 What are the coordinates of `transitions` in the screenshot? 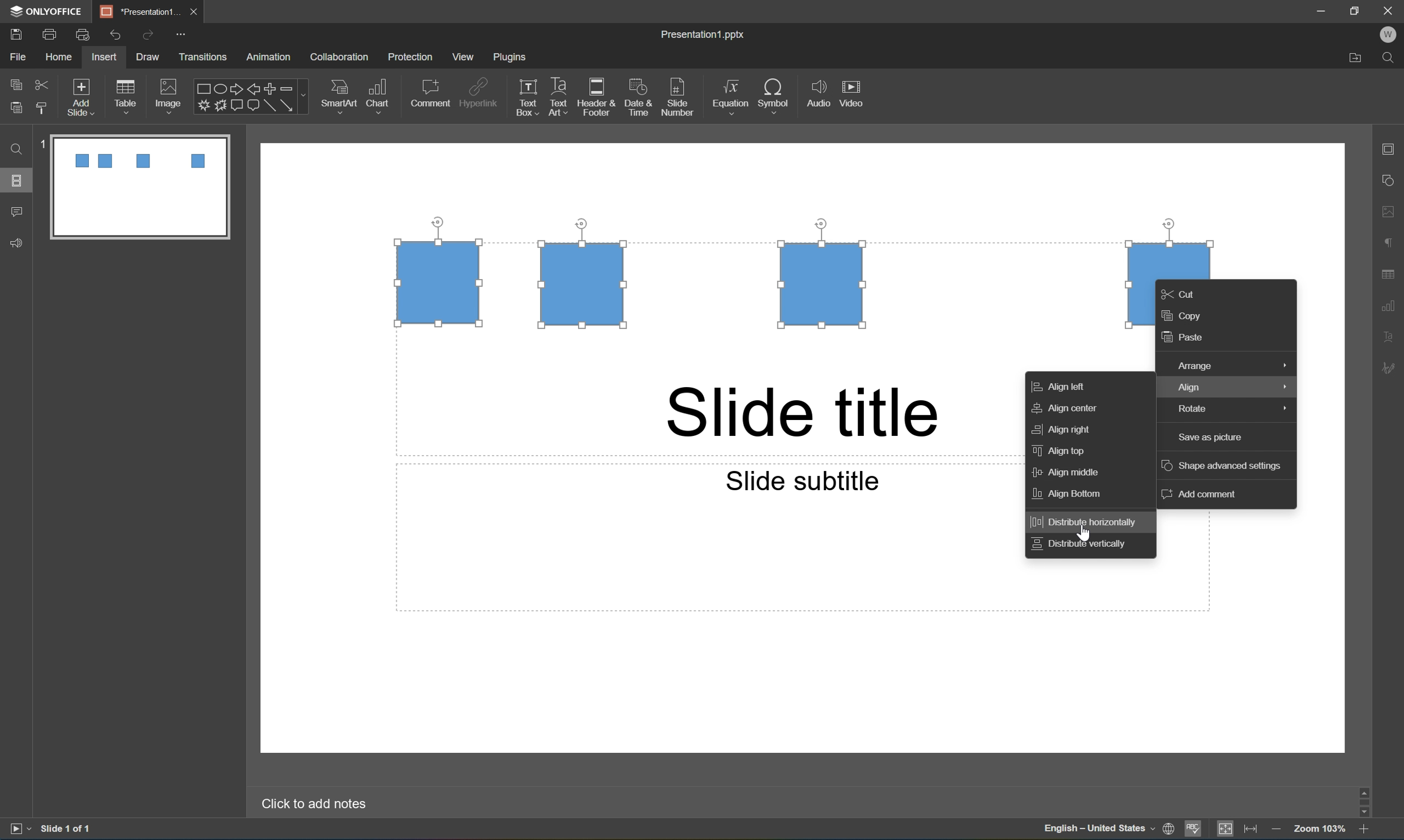 It's located at (204, 57).